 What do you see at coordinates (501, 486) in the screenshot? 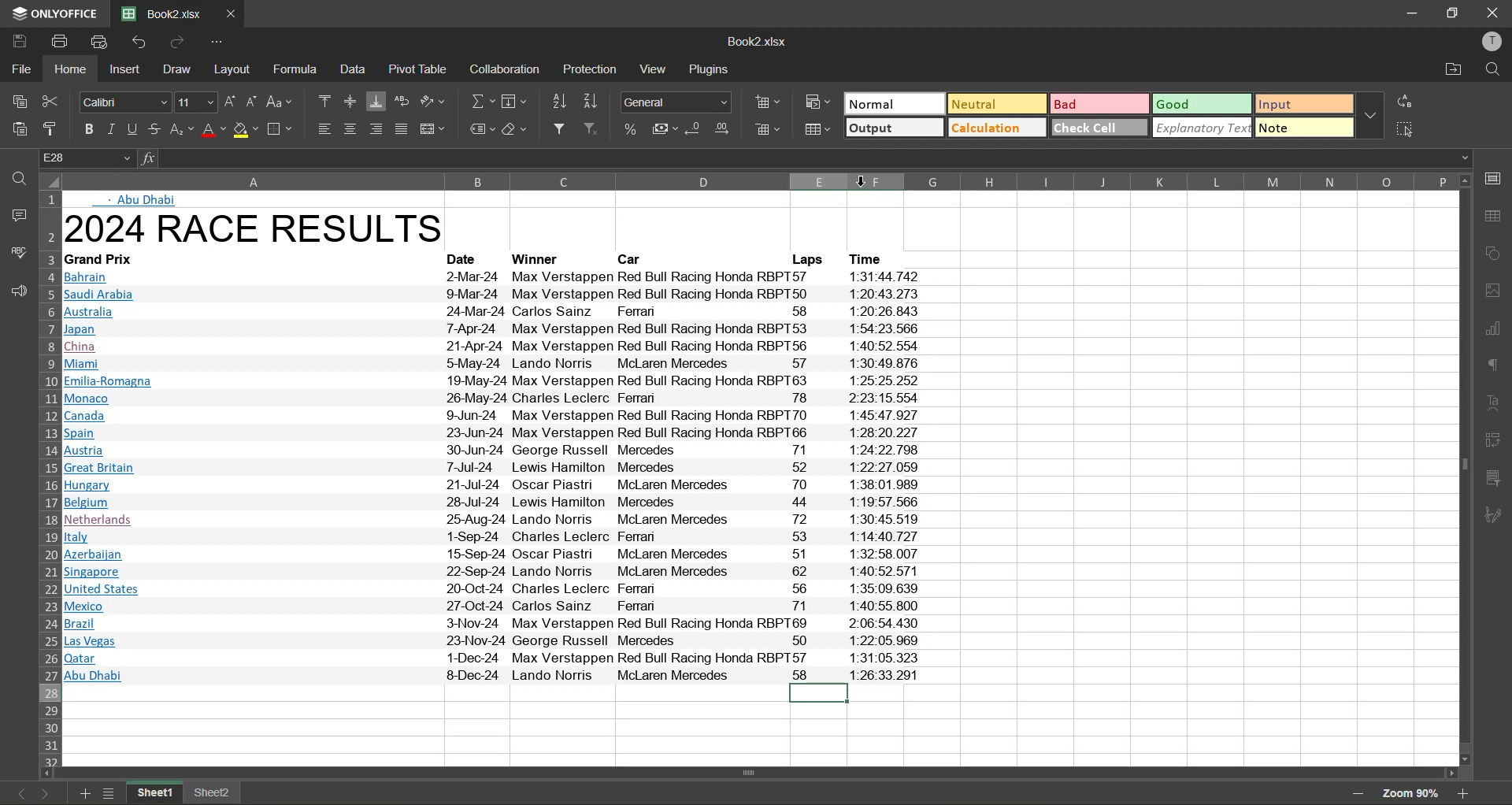
I see `IHungary 21-Jul-24 Oscar Piastn McLaren Mercedes 70 1:38:01.989` at bounding box center [501, 486].